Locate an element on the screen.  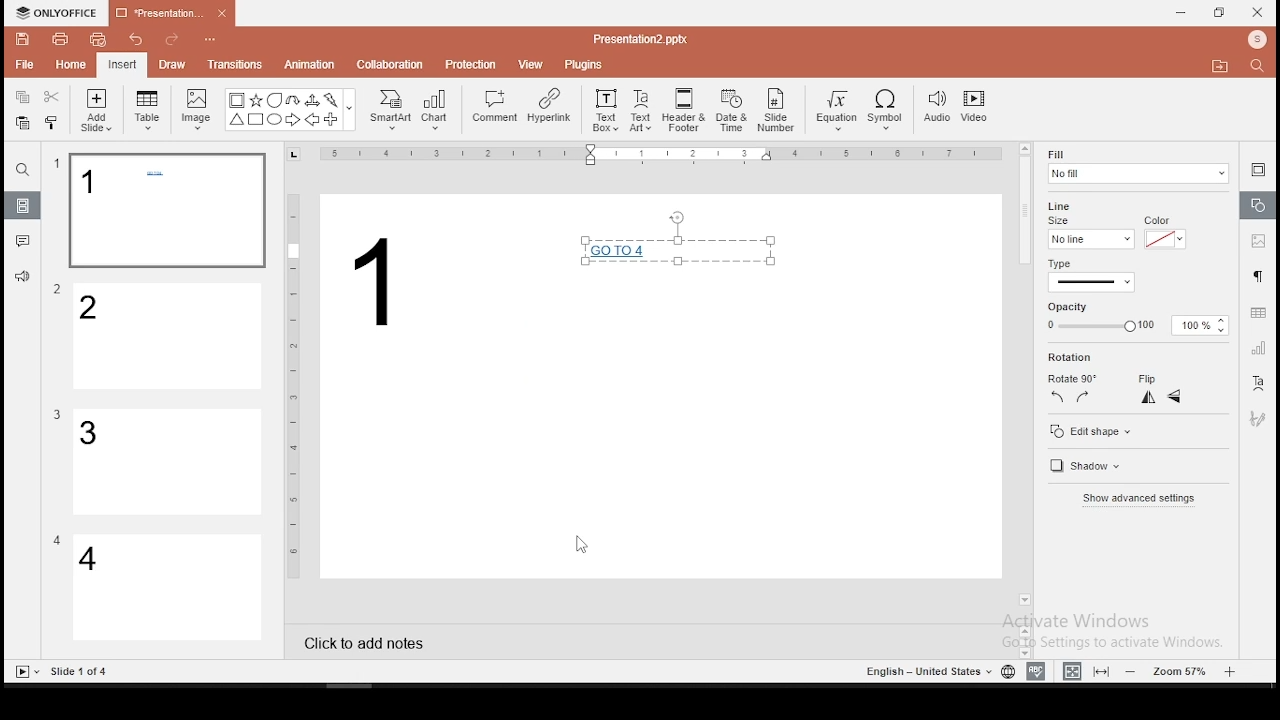
fit to slide is located at coordinates (1104, 670).